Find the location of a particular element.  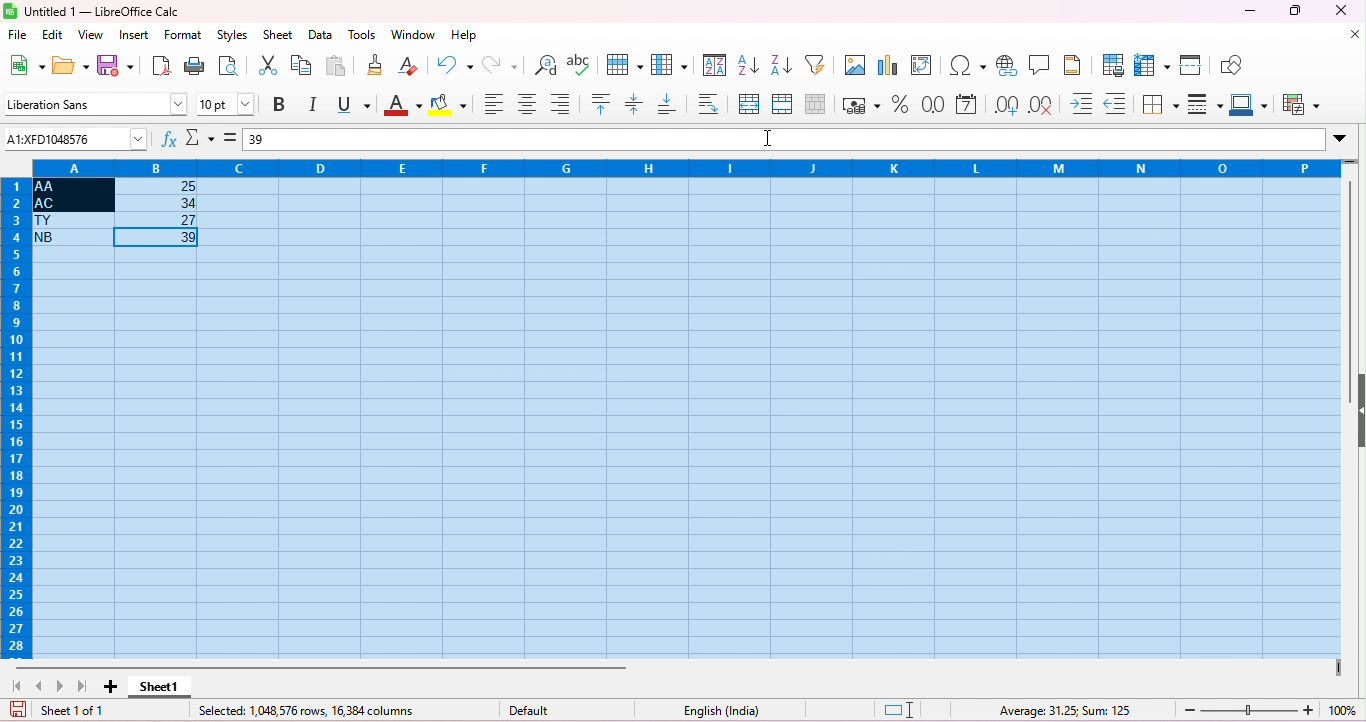

copy is located at coordinates (301, 65).